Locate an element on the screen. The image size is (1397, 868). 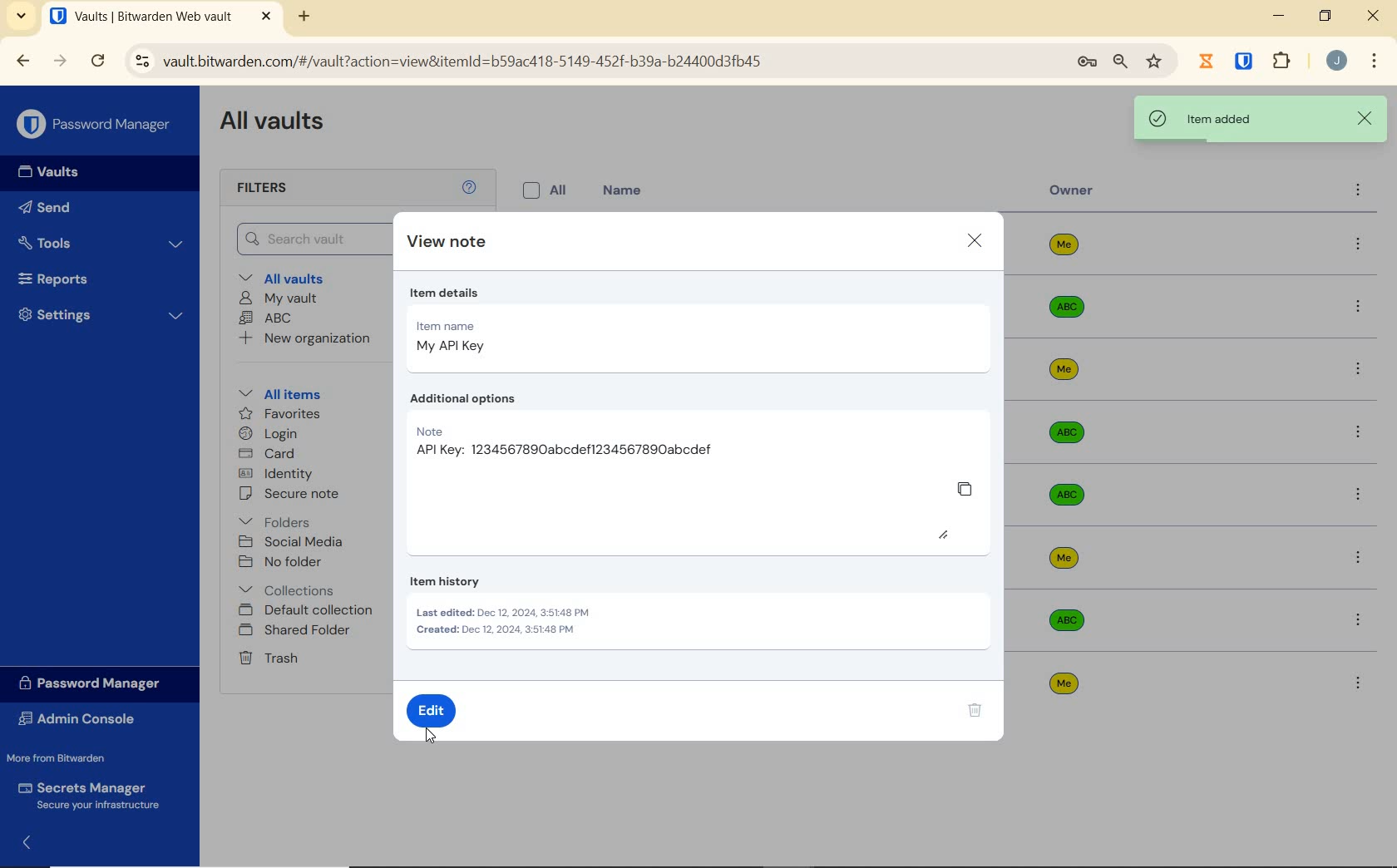
Account is located at coordinates (1337, 62).